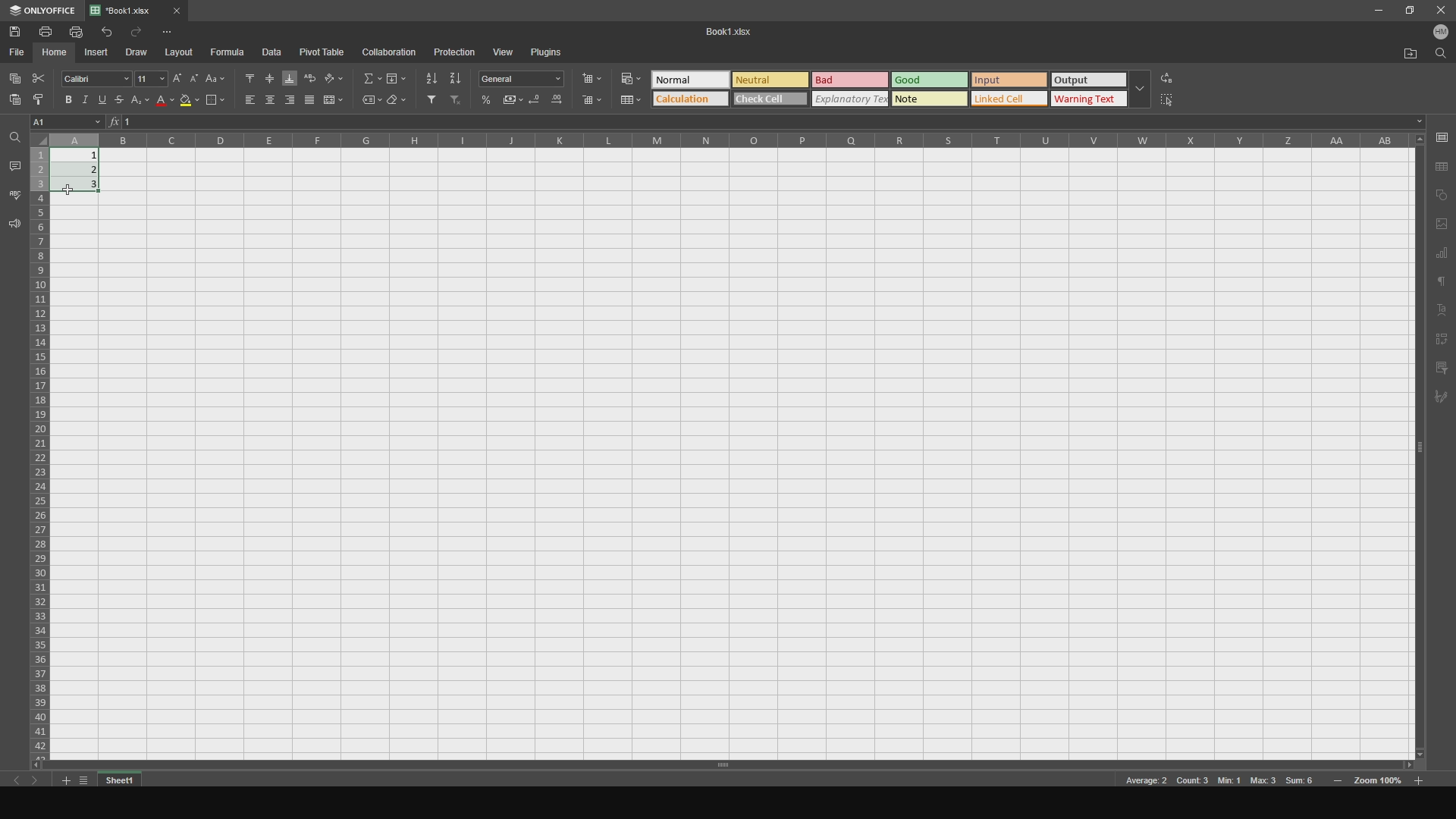 The image size is (1456, 819). What do you see at coordinates (1442, 166) in the screenshot?
I see `save as` at bounding box center [1442, 166].